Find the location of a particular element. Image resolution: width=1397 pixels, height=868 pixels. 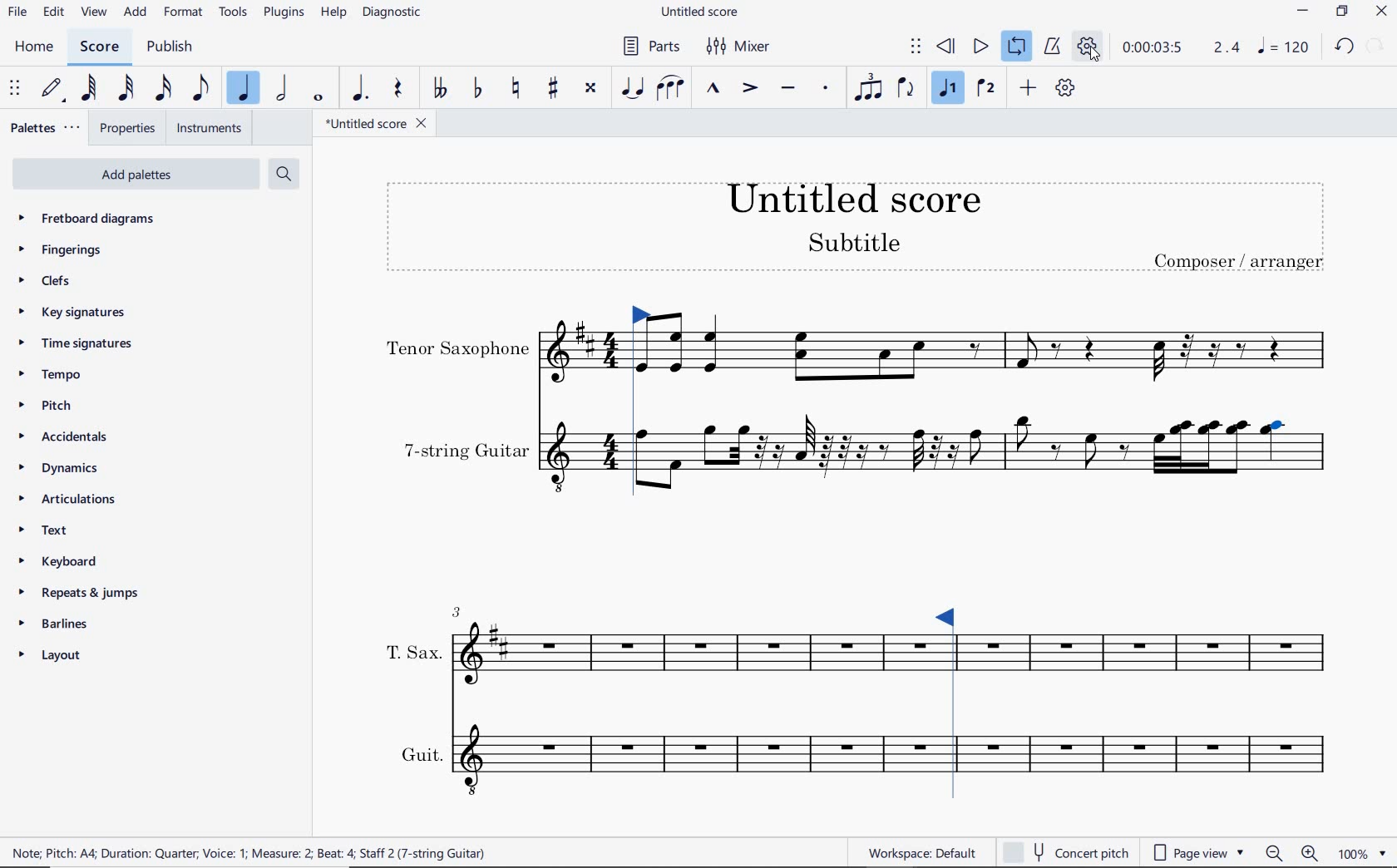

TENUTO is located at coordinates (787, 90).